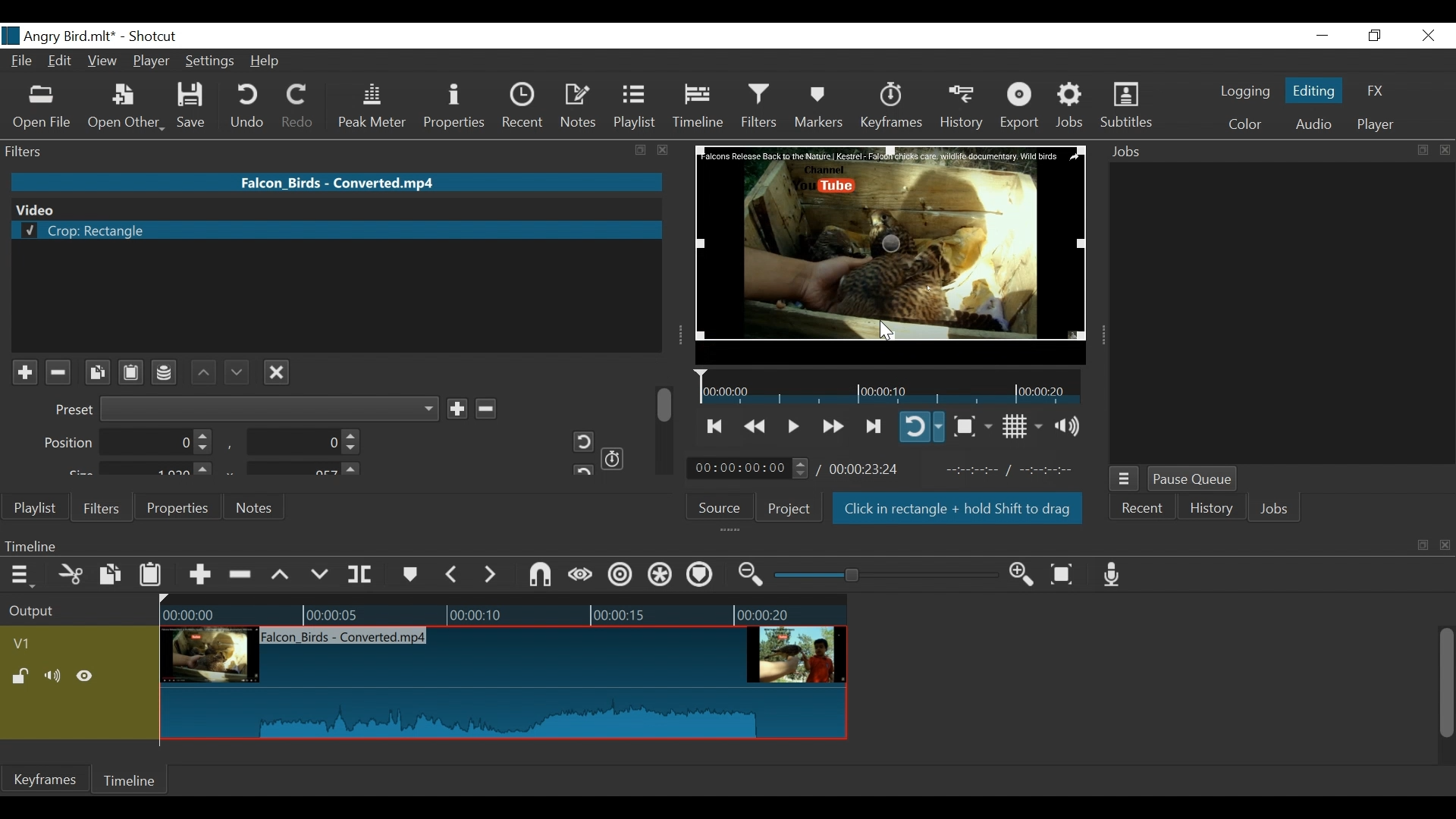 Image resolution: width=1456 pixels, height=819 pixels. Describe the element at coordinates (199, 577) in the screenshot. I see `Append` at that location.